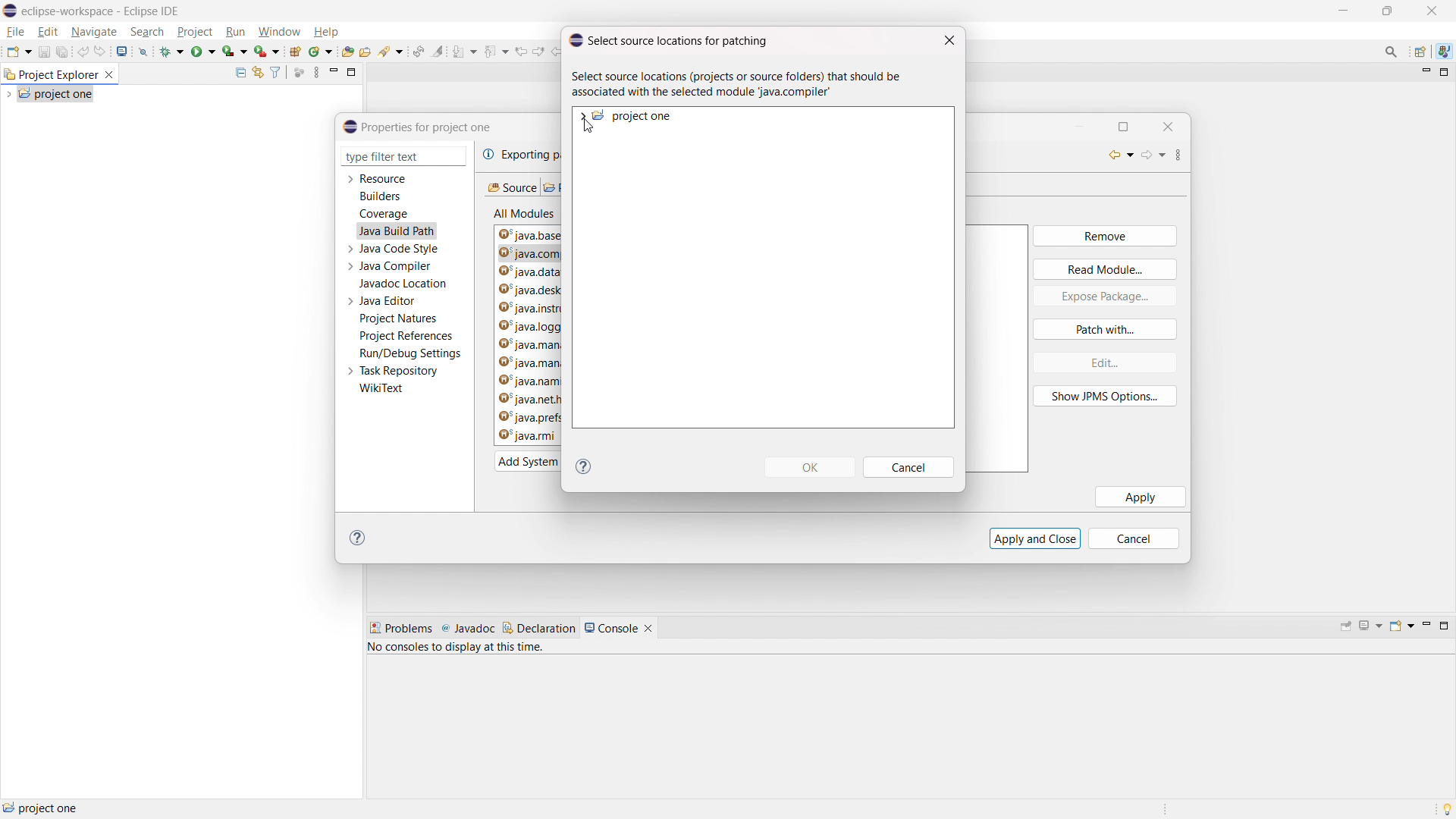 Image resolution: width=1456 pixels, height=819 pixels. What do you see at coordinates (1445, 73) in the screenshot?
I see `maximize` at bounding box center [1445, 73].